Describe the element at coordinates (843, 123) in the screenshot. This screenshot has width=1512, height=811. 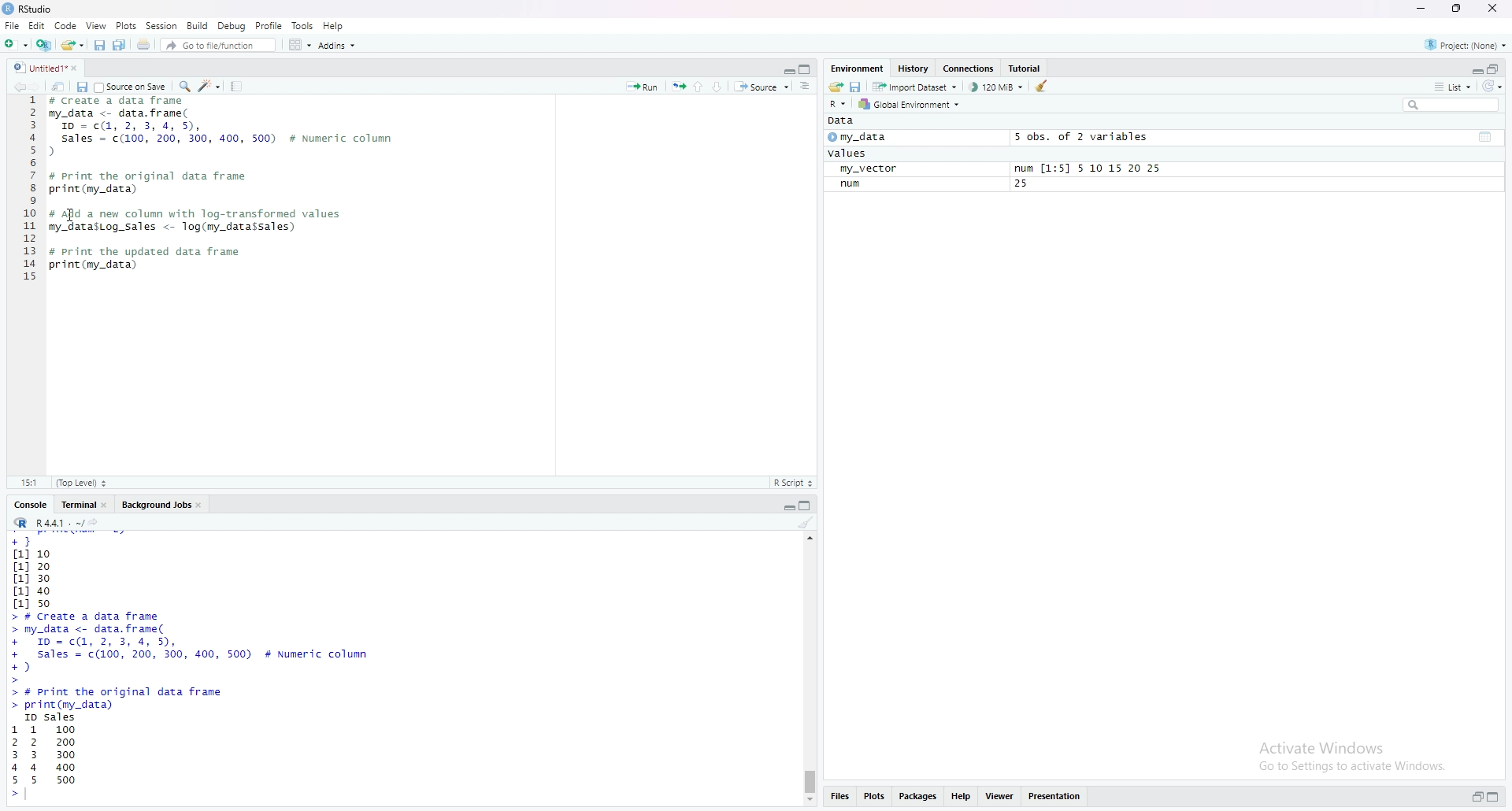
I see `Data` at that location.